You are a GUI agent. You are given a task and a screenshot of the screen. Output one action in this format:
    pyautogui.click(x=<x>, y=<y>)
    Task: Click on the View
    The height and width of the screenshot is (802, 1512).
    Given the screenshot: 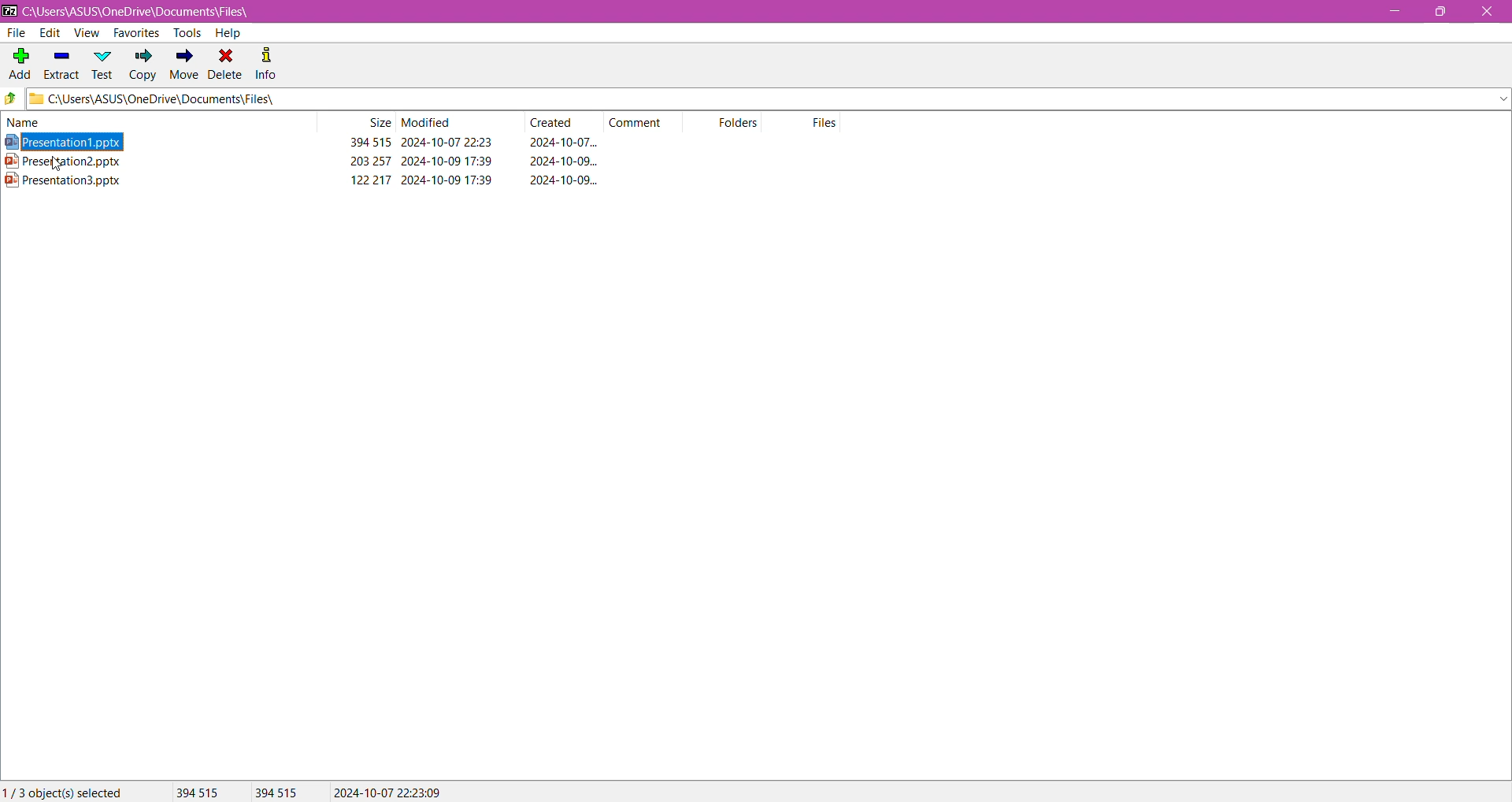 What is the action you would take?
    pyautogui.click(x=86, y=33)
    